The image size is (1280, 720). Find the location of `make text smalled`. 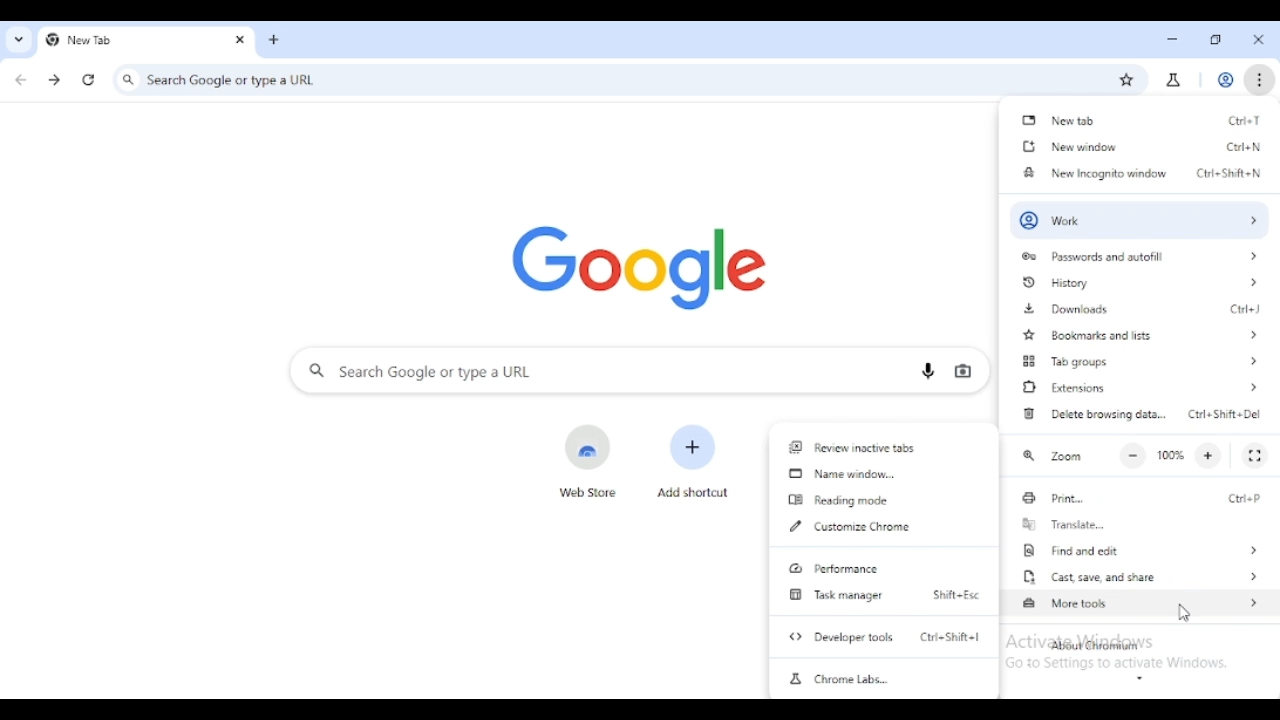

make text smalled is located at coordinates (1133, 456).